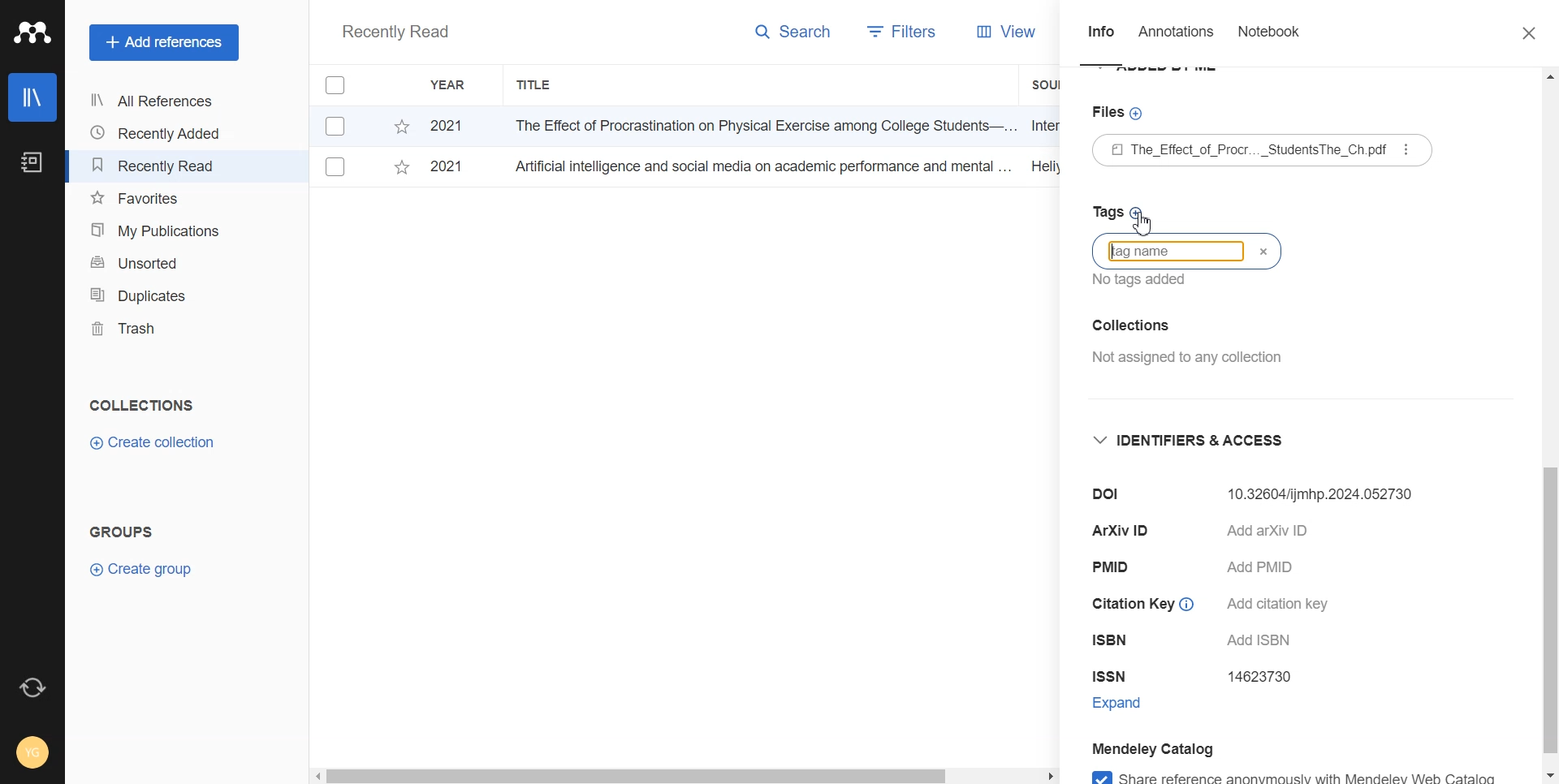 This screenshot has height=784, width=1559. Describe the element at coordinates (1521, 34) in the screenshot. I see `Close ` at that location.